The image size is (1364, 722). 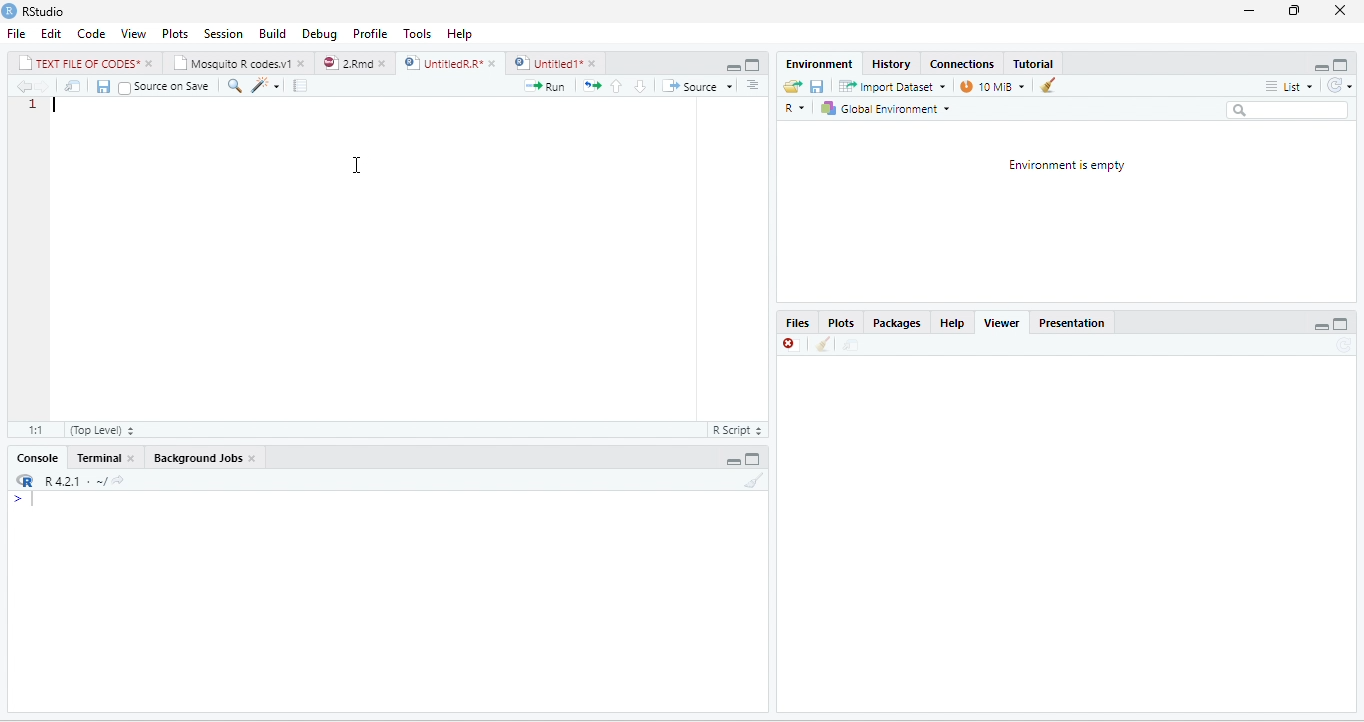 What do you see at coordinates (737, 431) in the screenshot?
I see `R script` at bounding box center [737, 431].